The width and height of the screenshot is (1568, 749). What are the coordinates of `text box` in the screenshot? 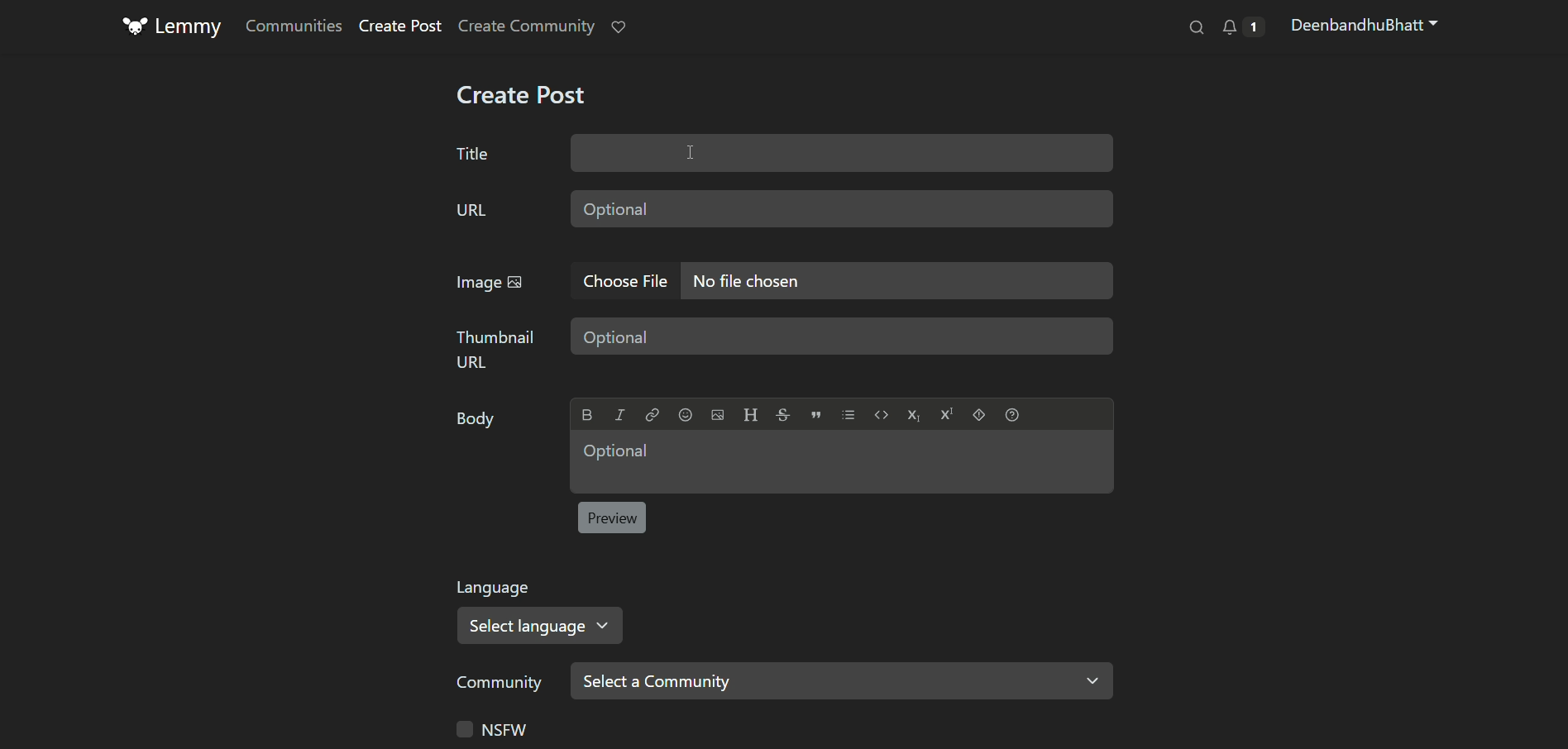 It's located at (841, 152).